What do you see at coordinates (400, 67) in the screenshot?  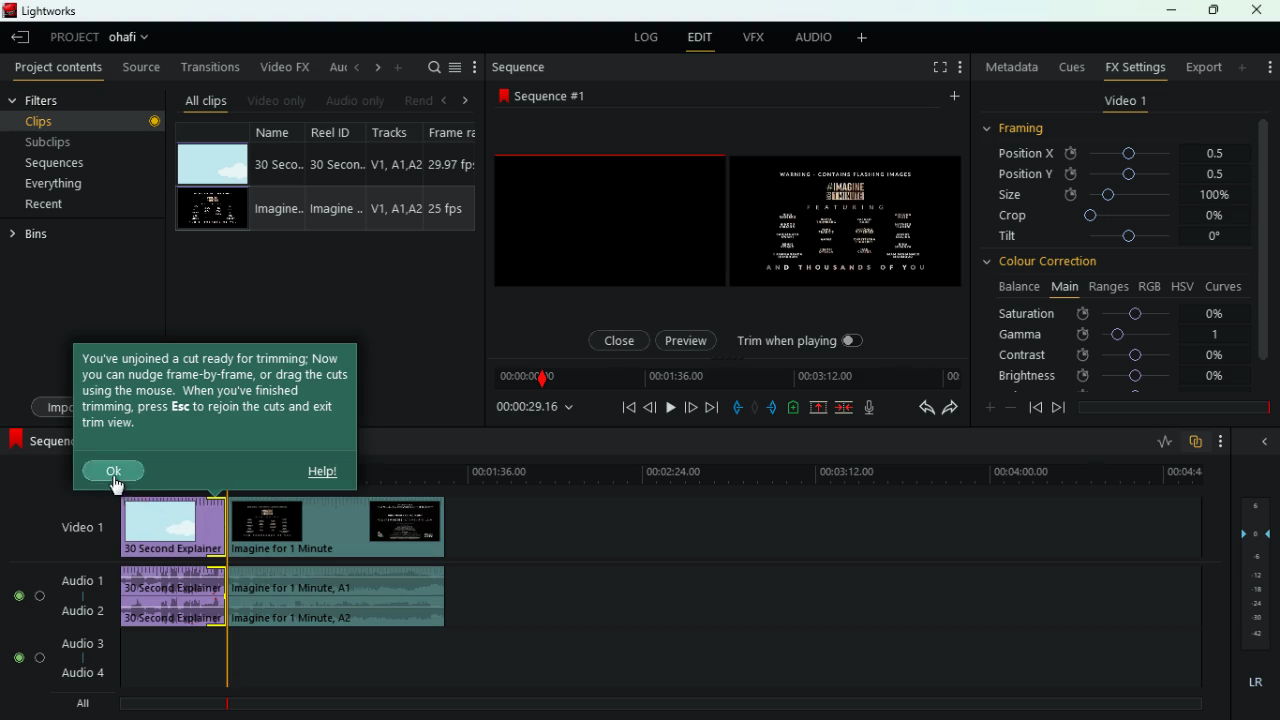 I see `more` at bounding box center [400, 67].